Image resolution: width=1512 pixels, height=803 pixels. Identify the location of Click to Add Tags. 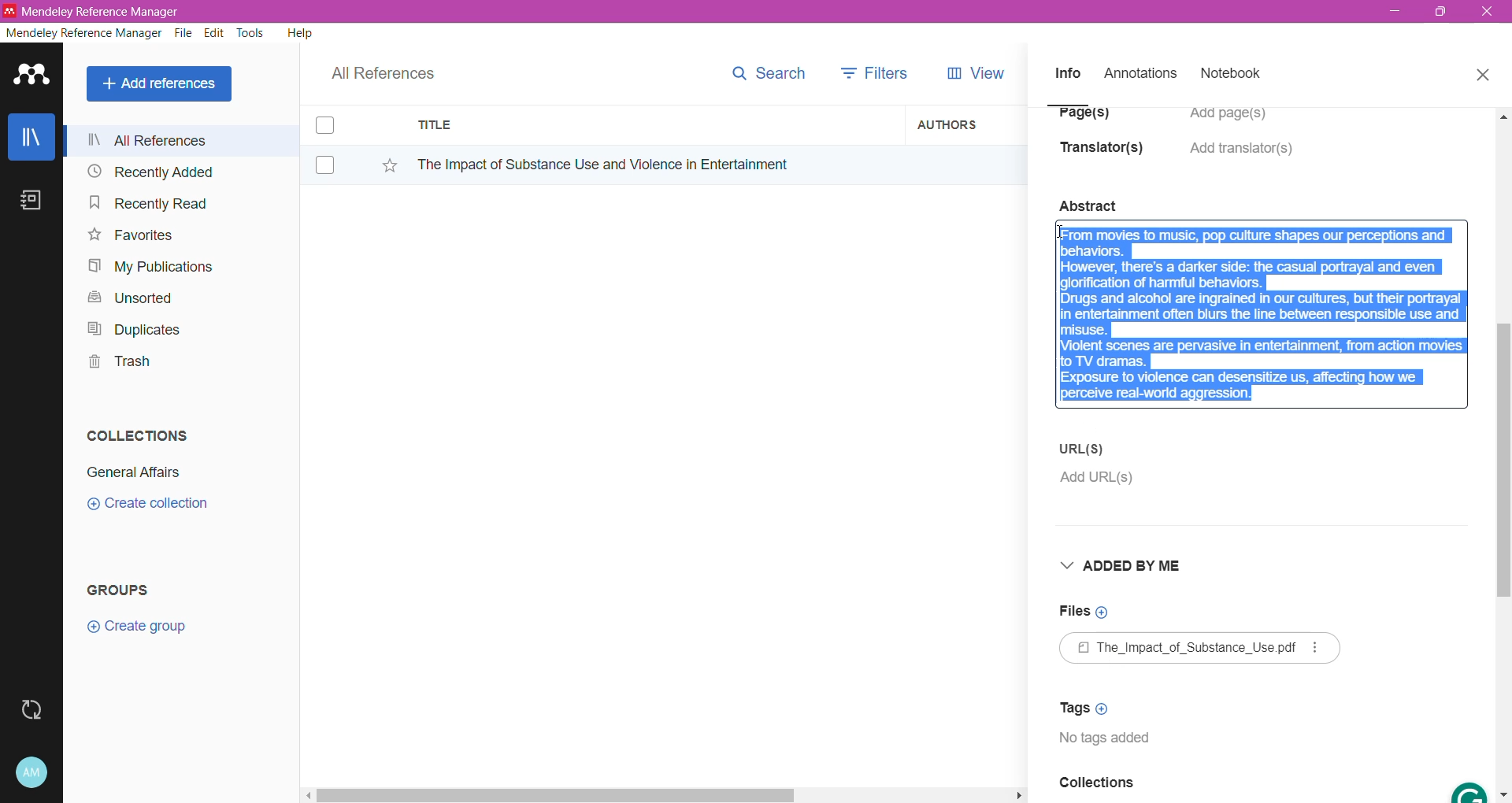
(1089, 708).